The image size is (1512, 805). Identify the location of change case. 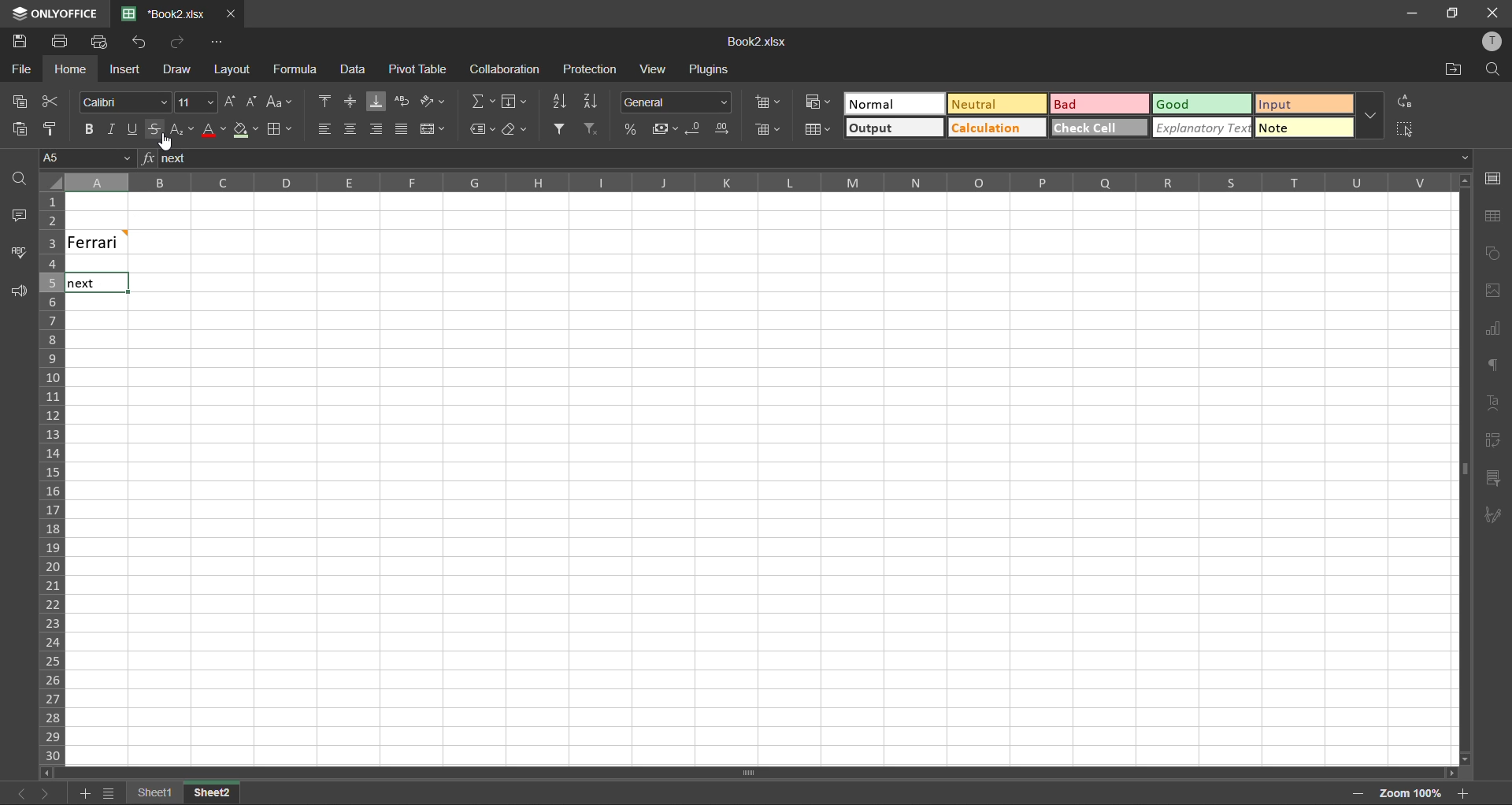
(280, 105).